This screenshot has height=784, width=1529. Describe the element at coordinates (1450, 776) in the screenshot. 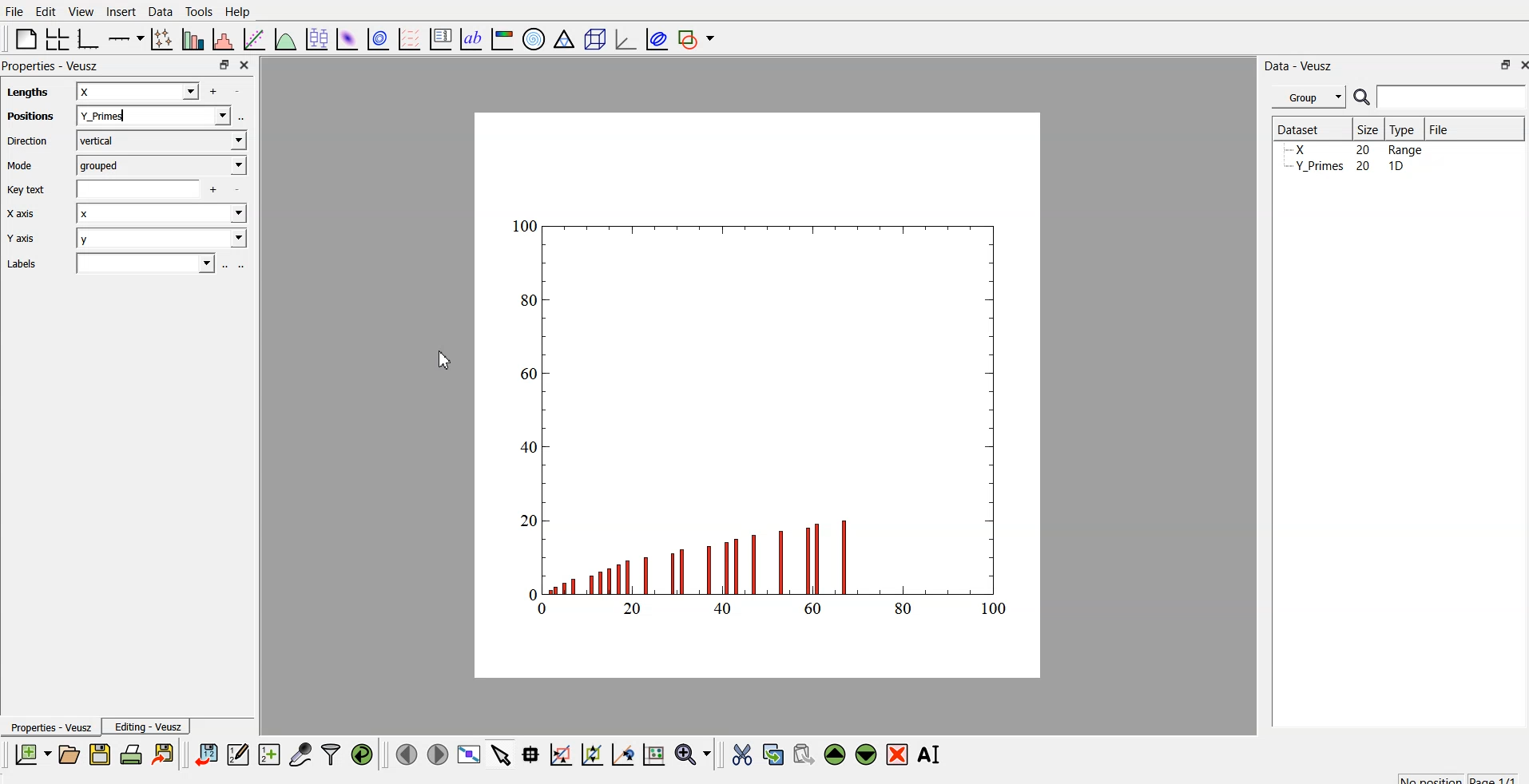

I see `no position page 1/1` at that location.